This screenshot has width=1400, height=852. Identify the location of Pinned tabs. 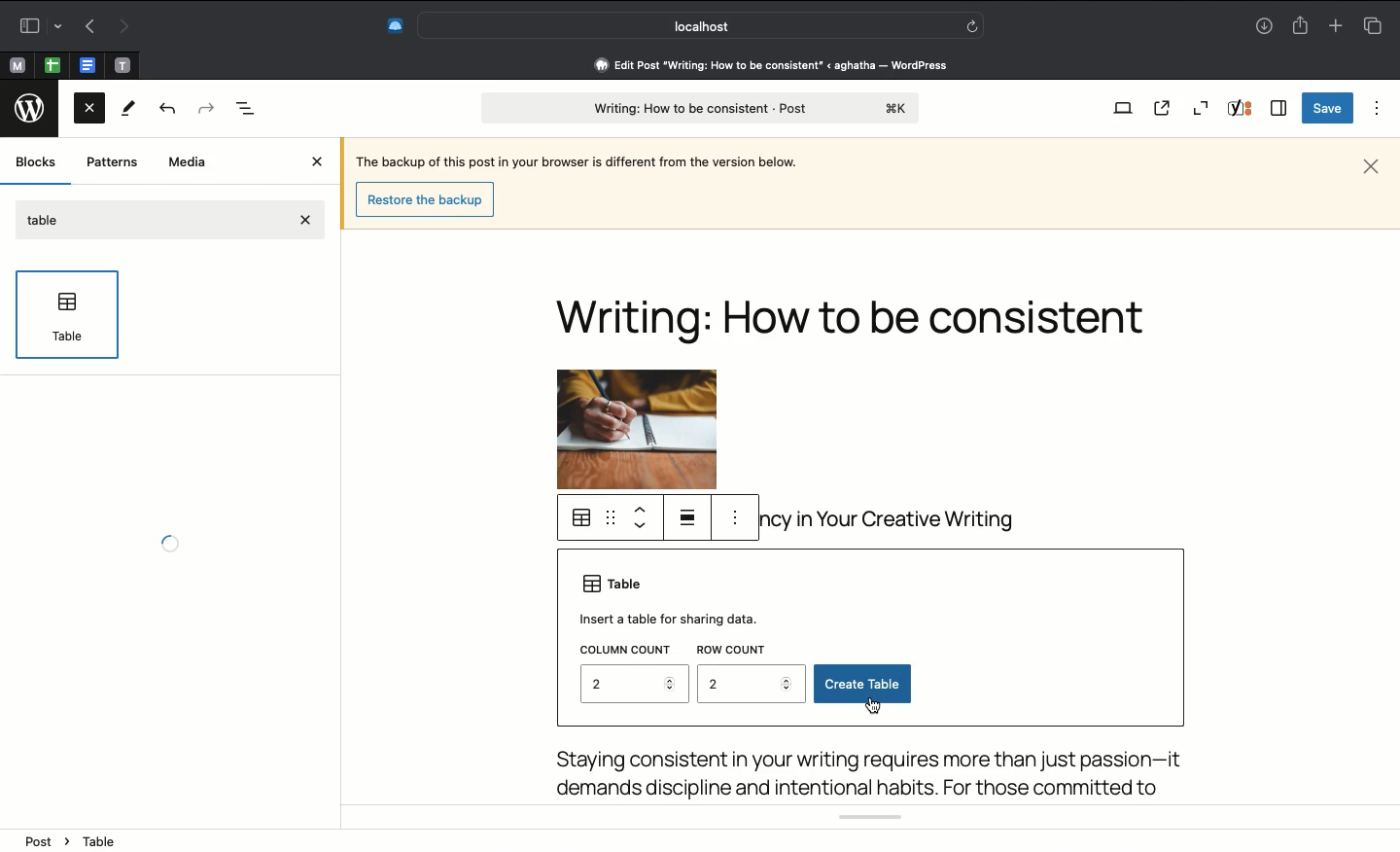
(18, 64).